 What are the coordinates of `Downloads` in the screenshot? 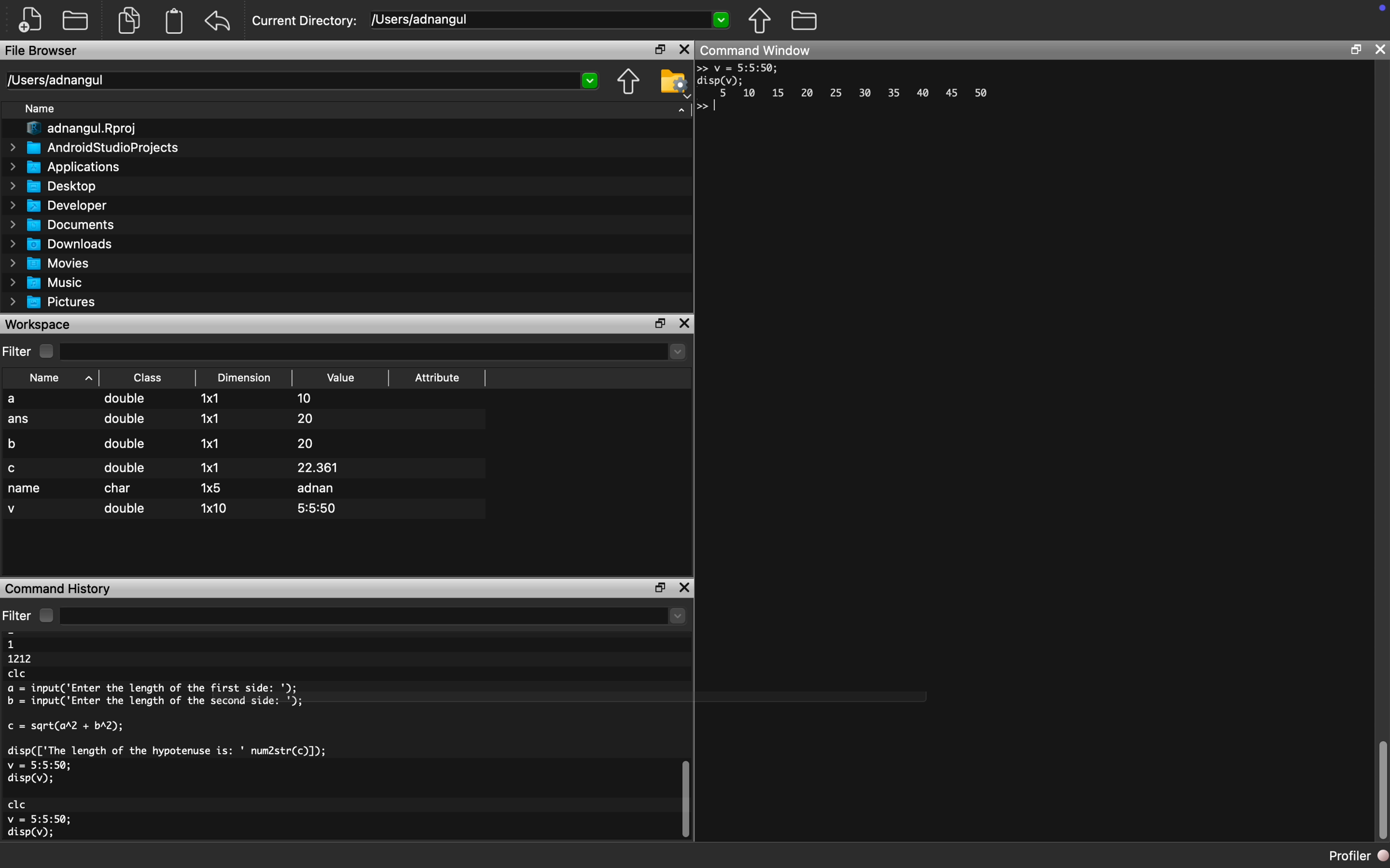 It's located at (60, 245).